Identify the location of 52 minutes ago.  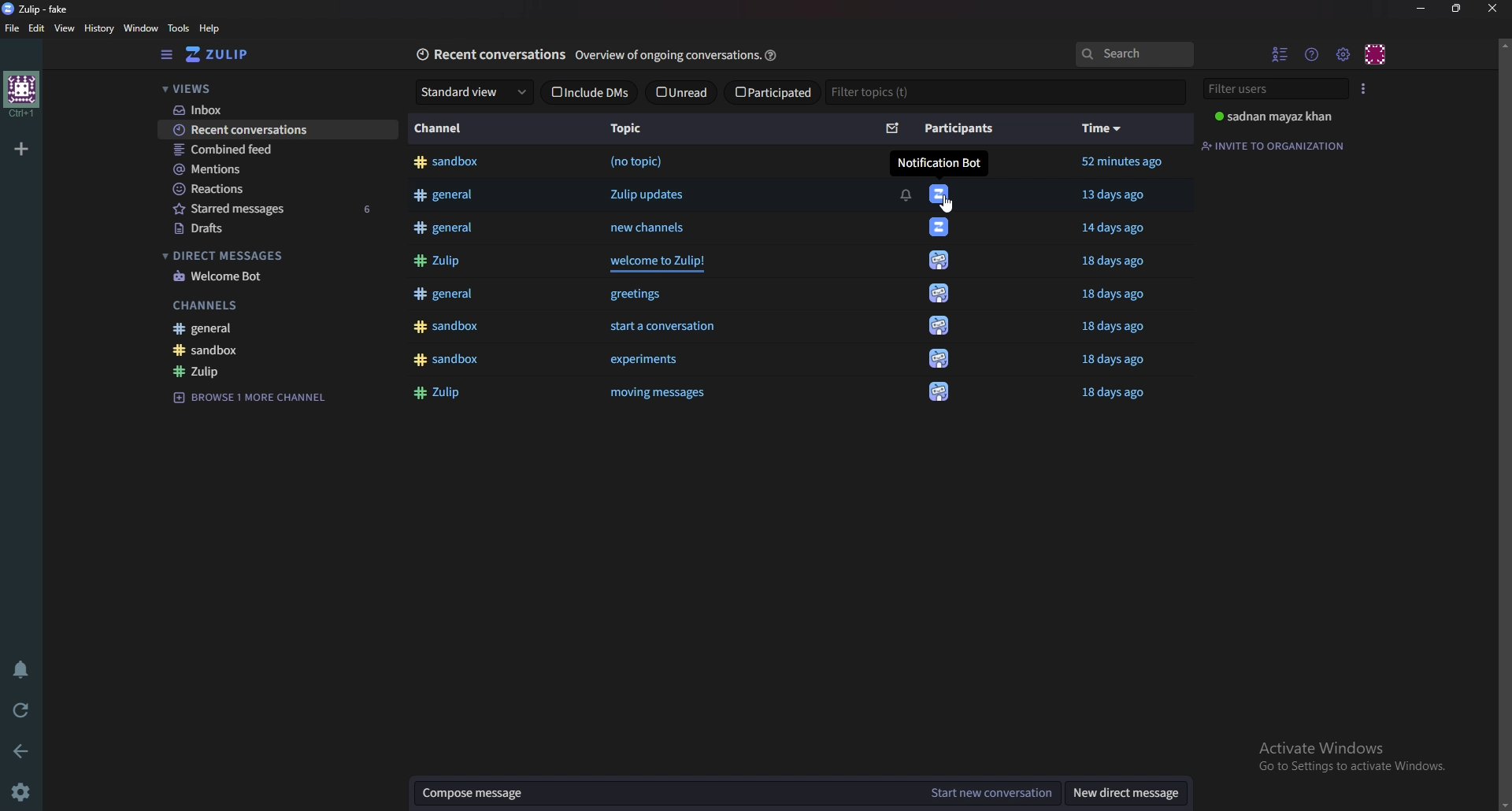
(1123, 161).